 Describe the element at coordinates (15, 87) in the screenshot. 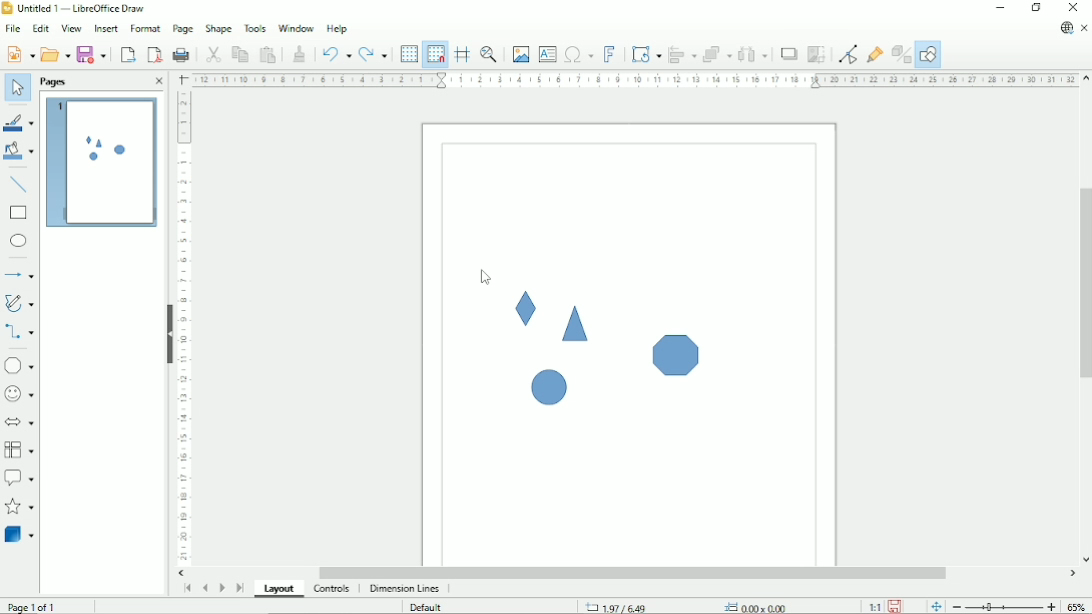

I see `Select` at that location.